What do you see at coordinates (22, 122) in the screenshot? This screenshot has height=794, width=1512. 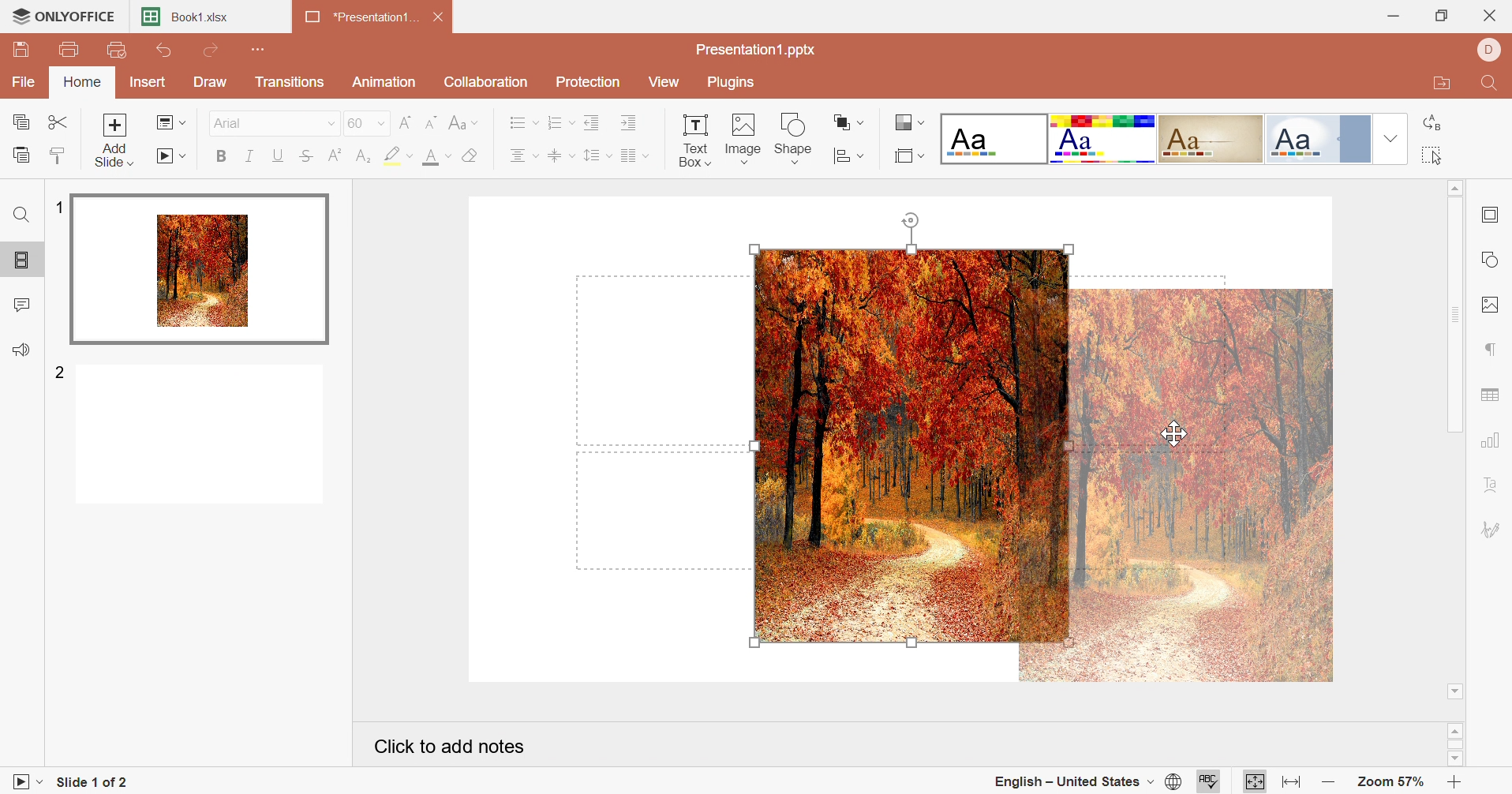 I see `Copy` at bounding box center [22, 122].